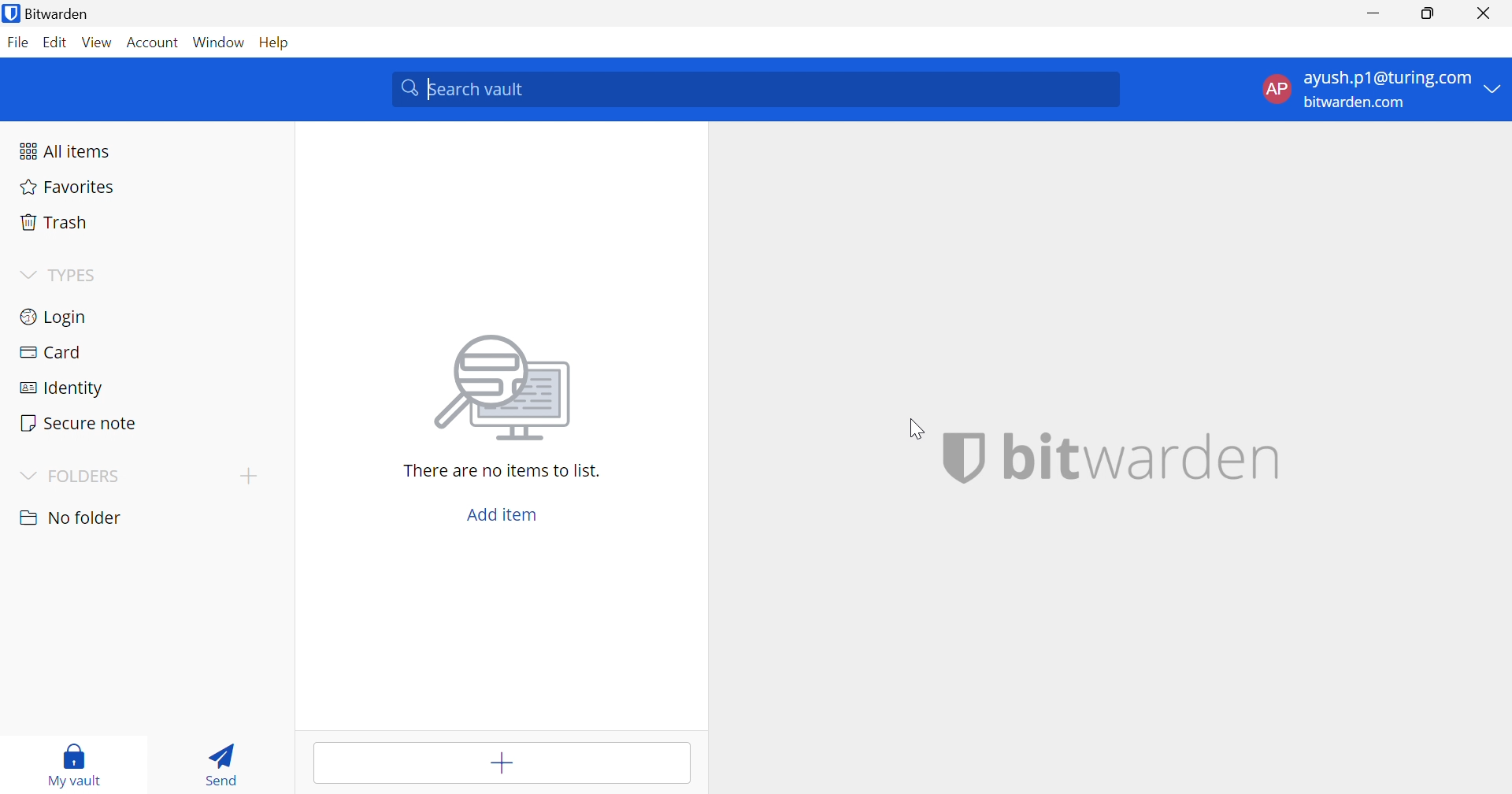  I want to click on There are no items to list, so click(500, 471).